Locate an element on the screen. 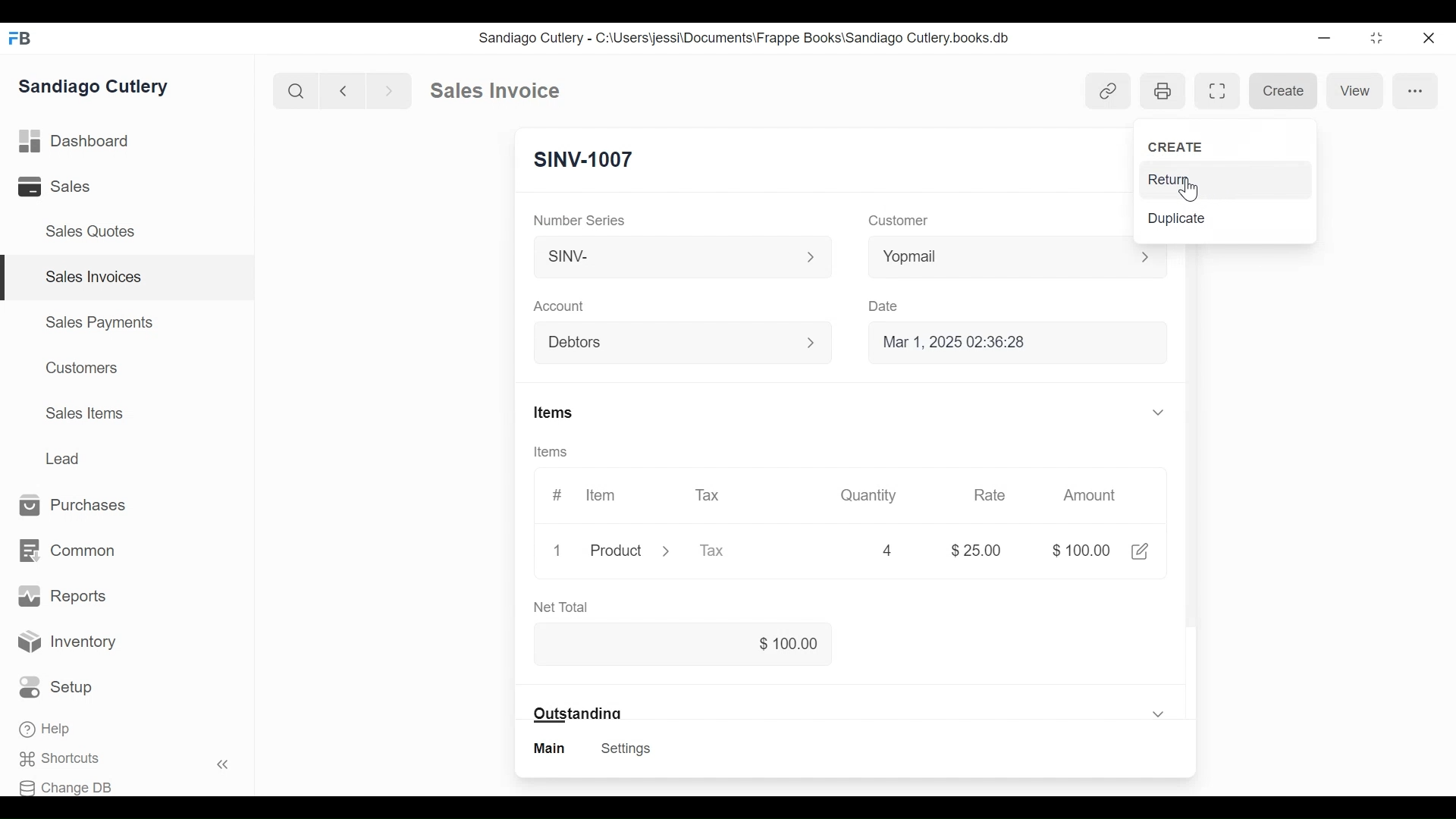 The image size is (1456, 819).  Help is located at coordinates (45, 729).